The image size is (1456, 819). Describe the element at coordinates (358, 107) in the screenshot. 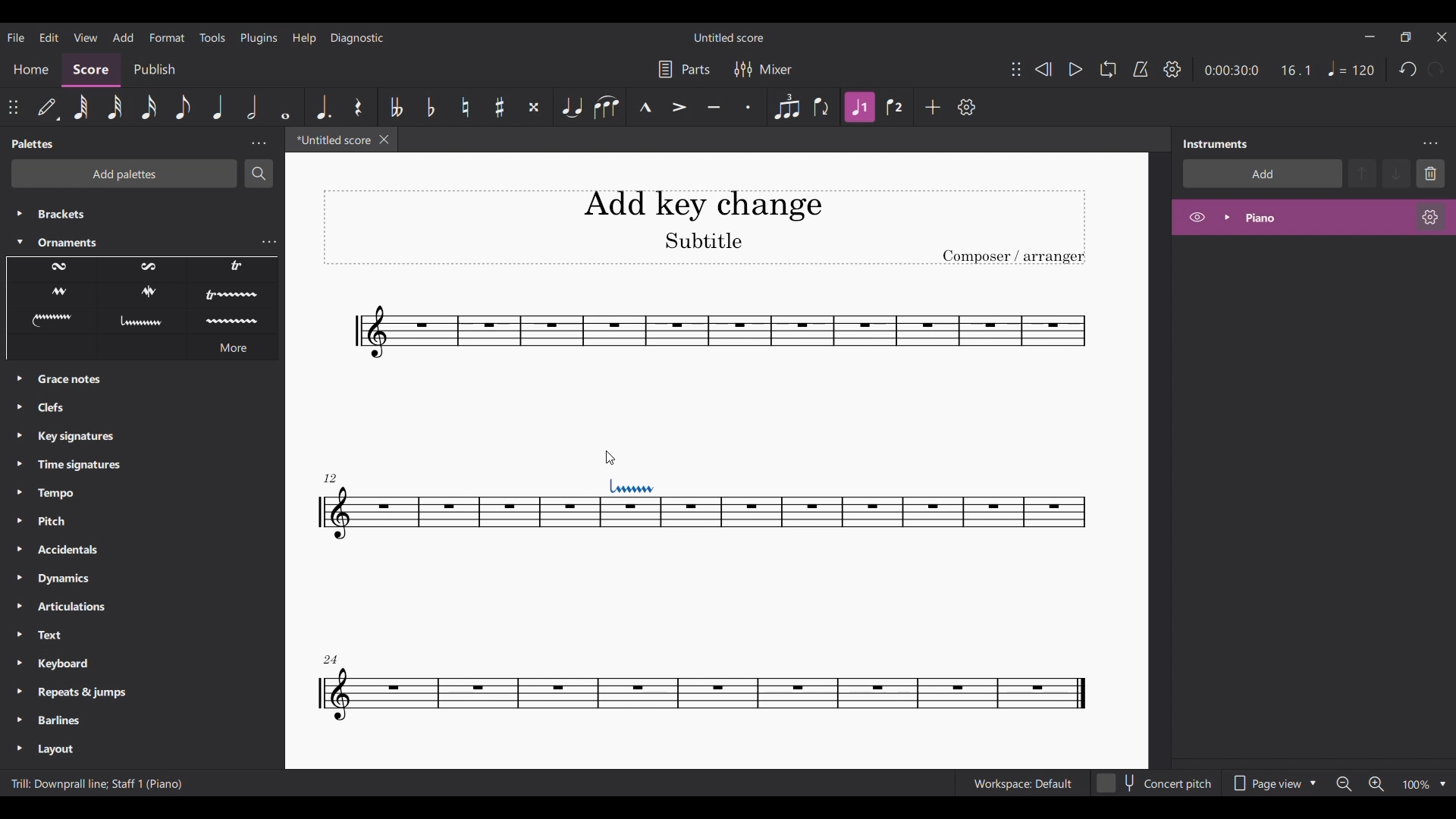

I see `Rest` at that location.